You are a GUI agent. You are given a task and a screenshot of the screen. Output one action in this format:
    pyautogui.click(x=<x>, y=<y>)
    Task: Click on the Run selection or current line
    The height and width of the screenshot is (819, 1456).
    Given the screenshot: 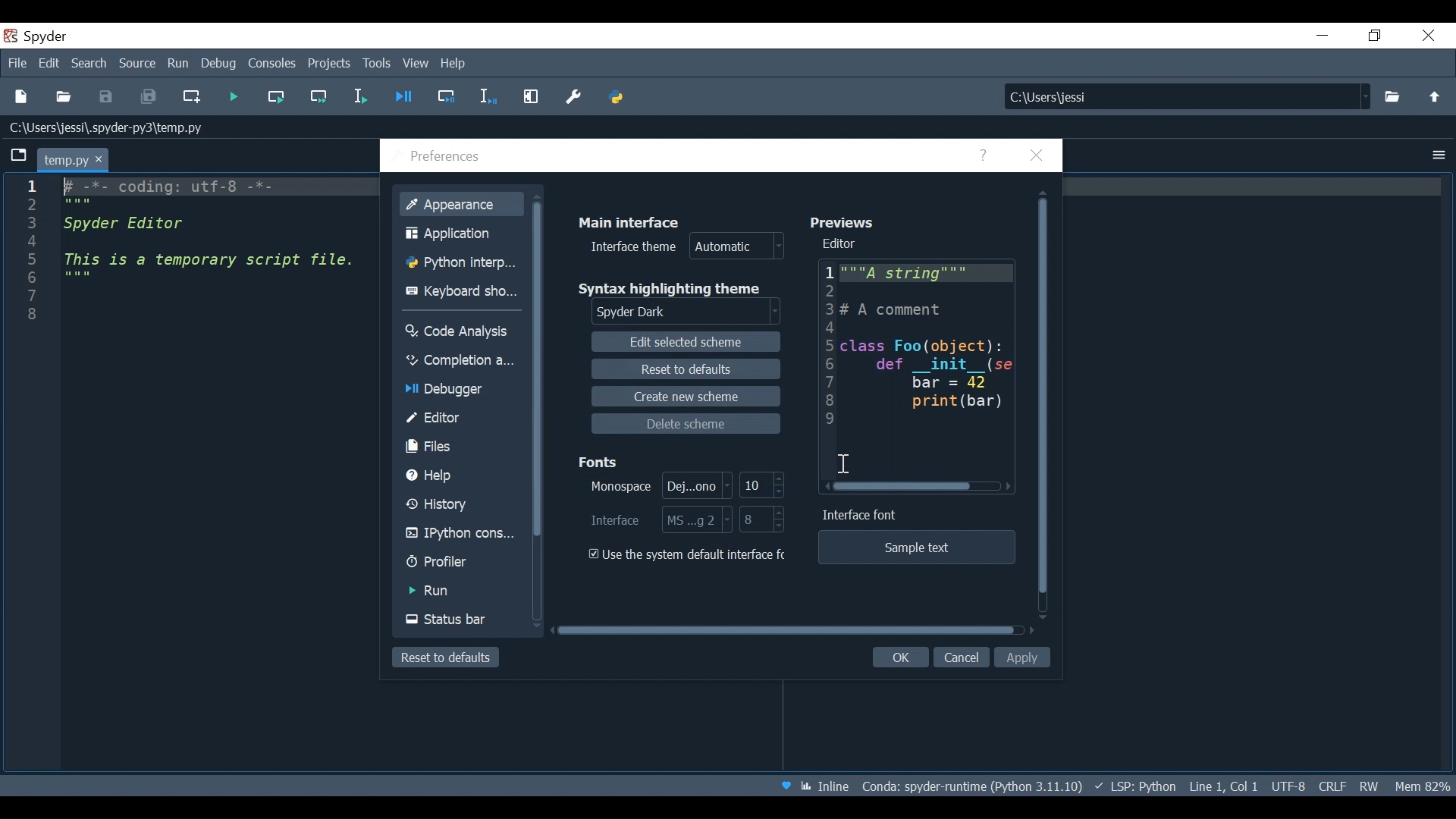 What is the action you would take?
    pyautogui.click(x=360, y=97)
    